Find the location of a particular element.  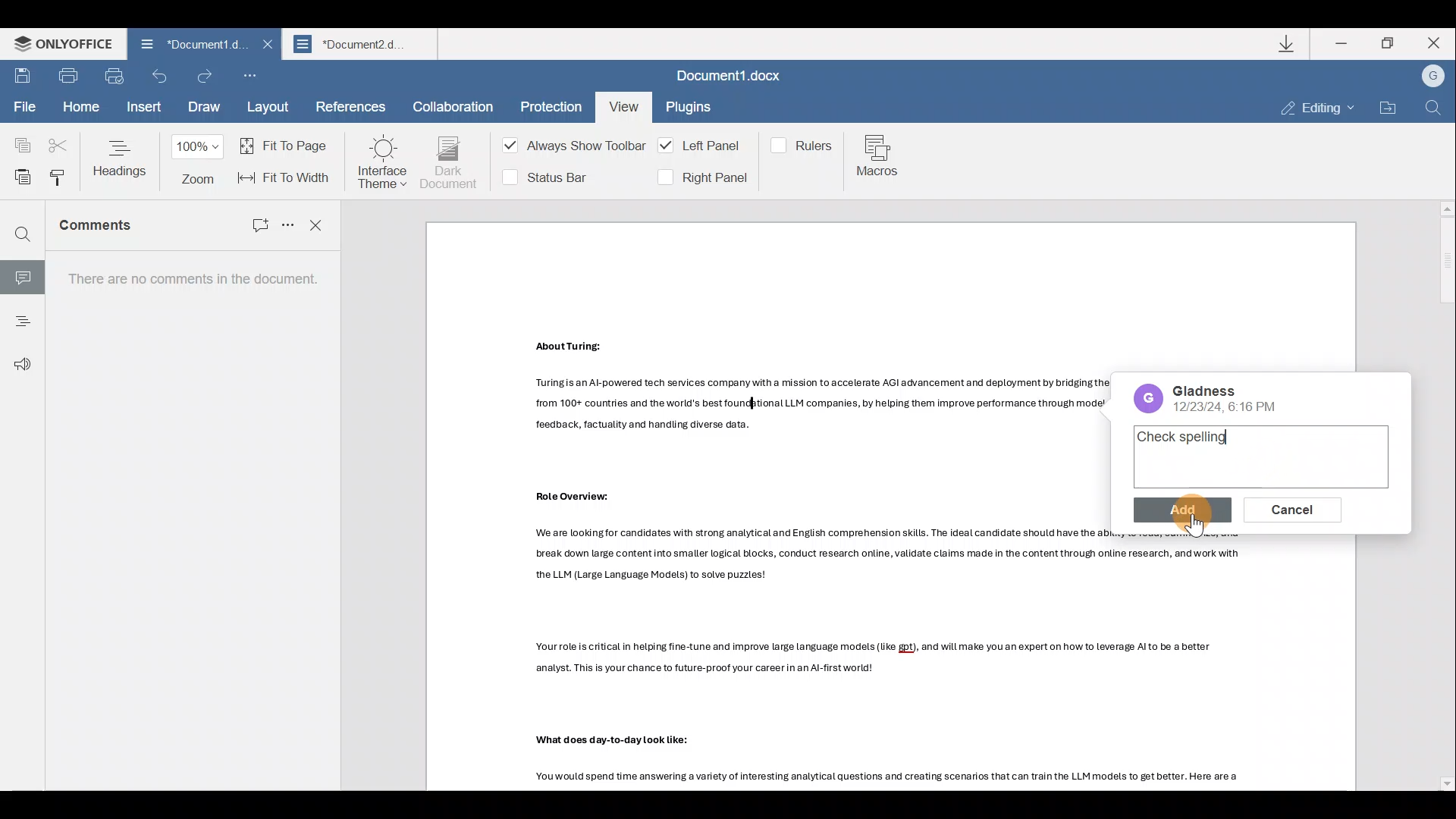

Always show toolbar is located at coordinates (569, 149).